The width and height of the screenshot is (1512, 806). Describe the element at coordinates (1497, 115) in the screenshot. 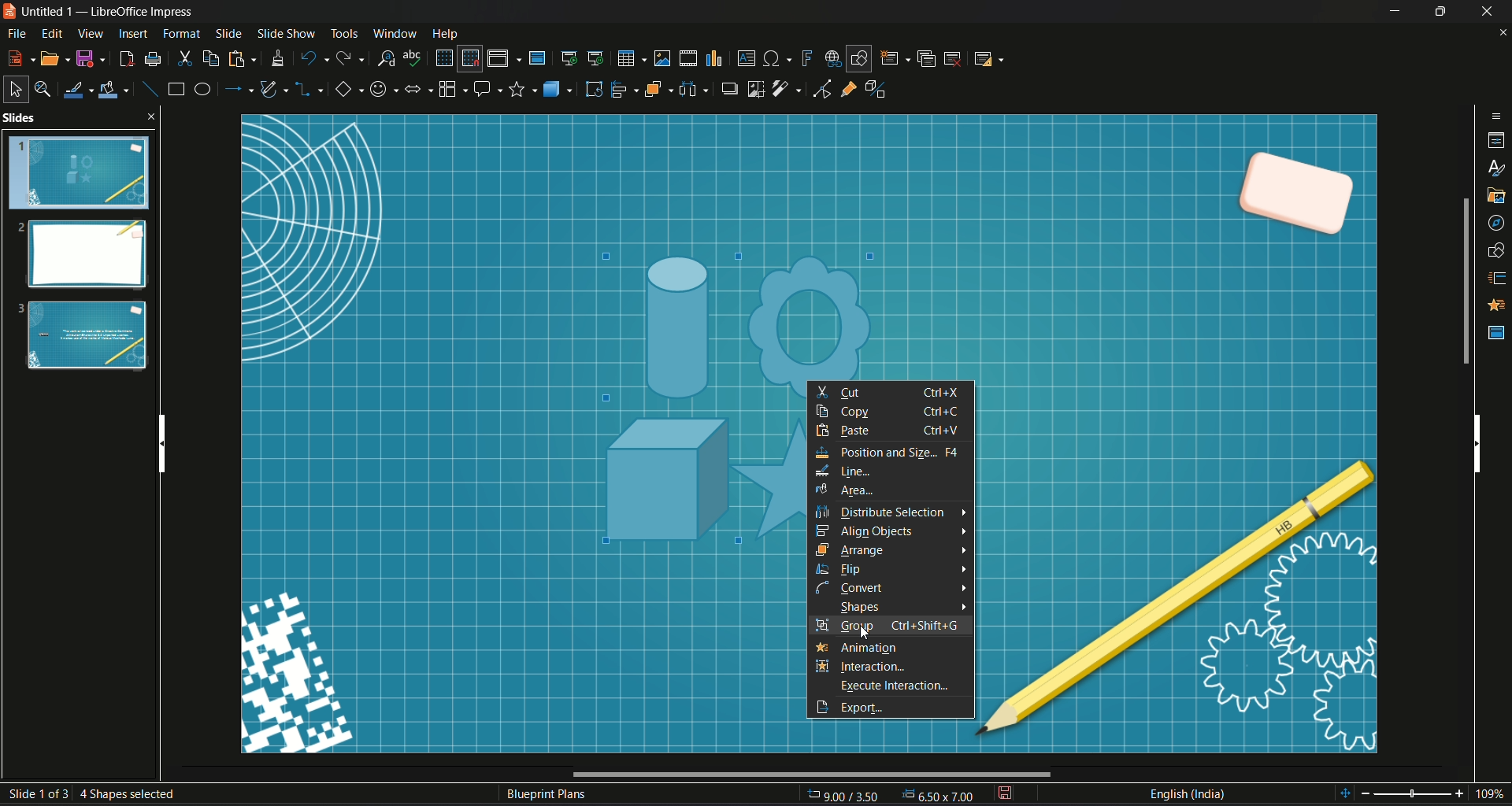

I see `sidebar options` at that location.